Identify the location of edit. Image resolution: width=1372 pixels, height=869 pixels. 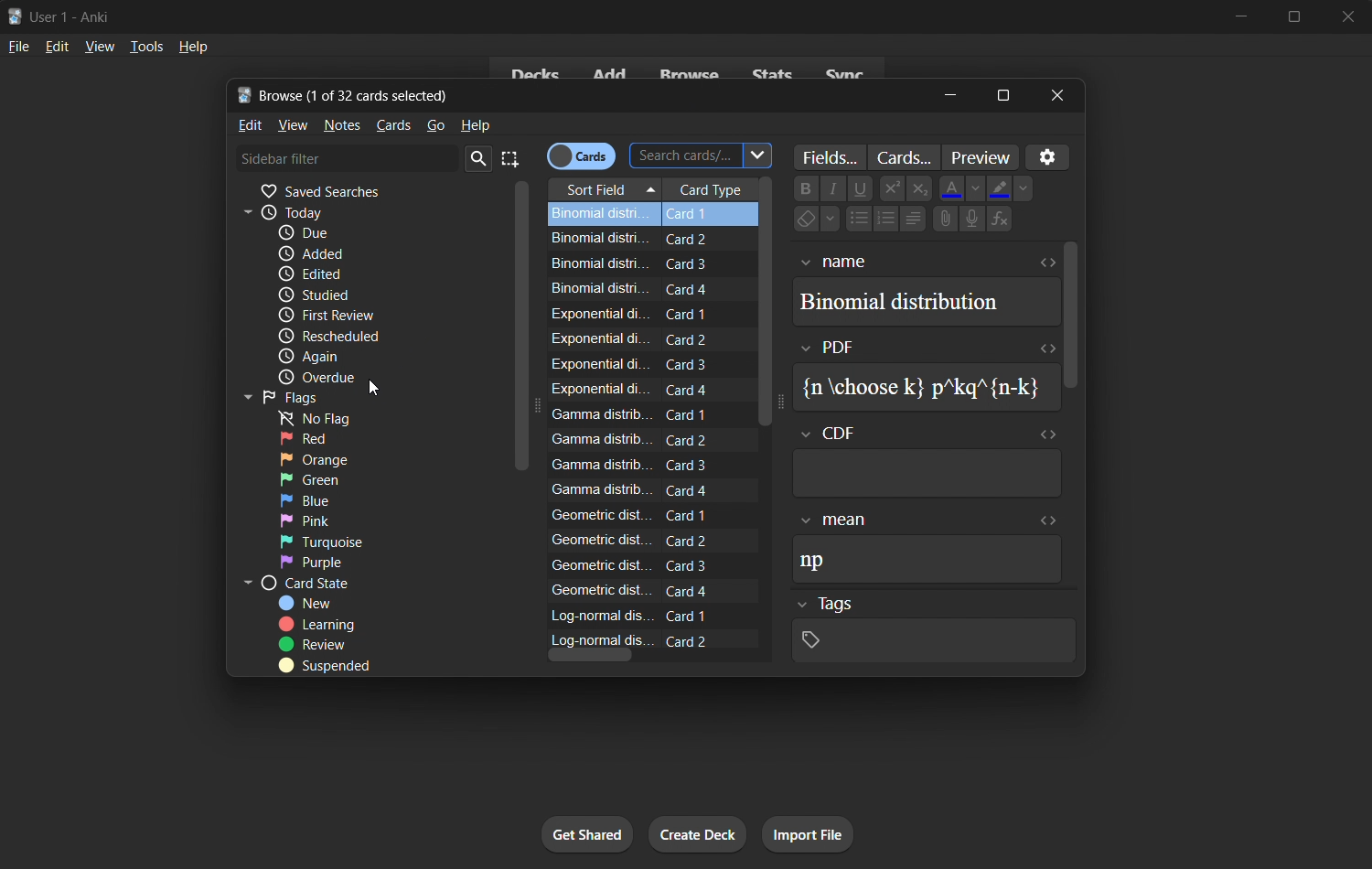
(251, 124).